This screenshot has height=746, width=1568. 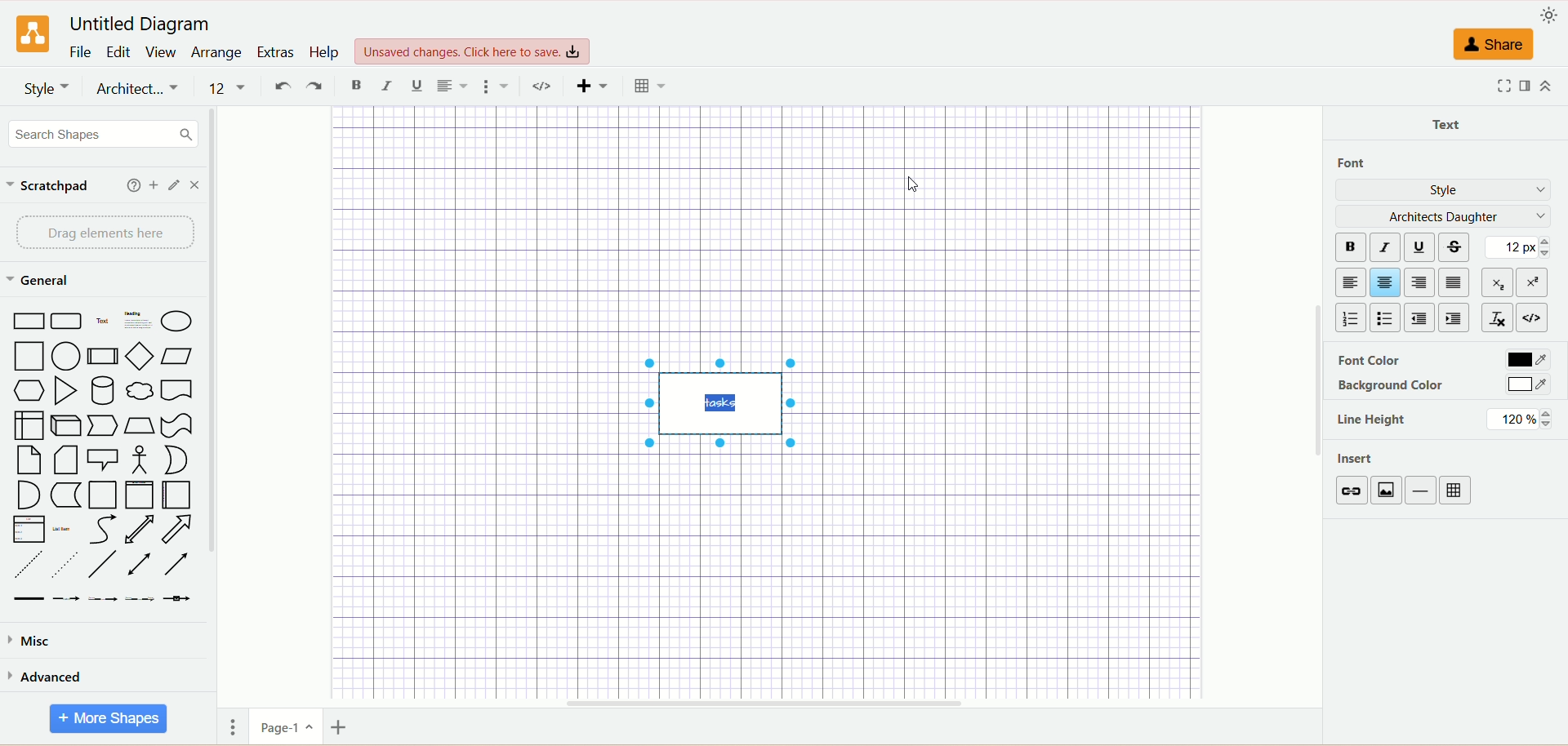 What do you see at coordinates (140, 496) in the screenshot?
I see `Vertical Page` at bounding box center [140, 496].